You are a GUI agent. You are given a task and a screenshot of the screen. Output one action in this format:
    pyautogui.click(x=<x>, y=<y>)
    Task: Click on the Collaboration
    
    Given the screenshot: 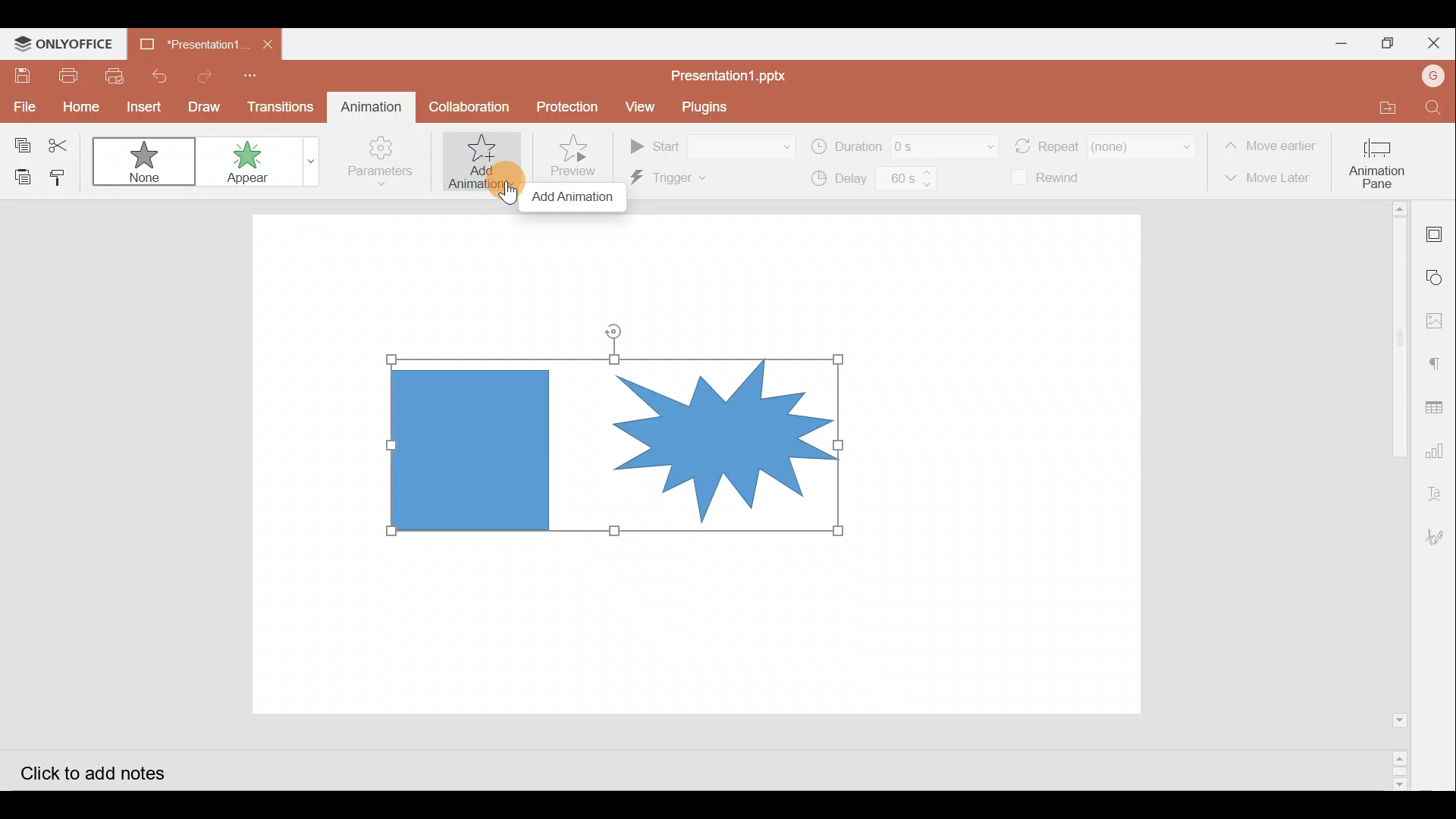 What is the action you would take?
    pyautogui.click(x=467, y=105)
    